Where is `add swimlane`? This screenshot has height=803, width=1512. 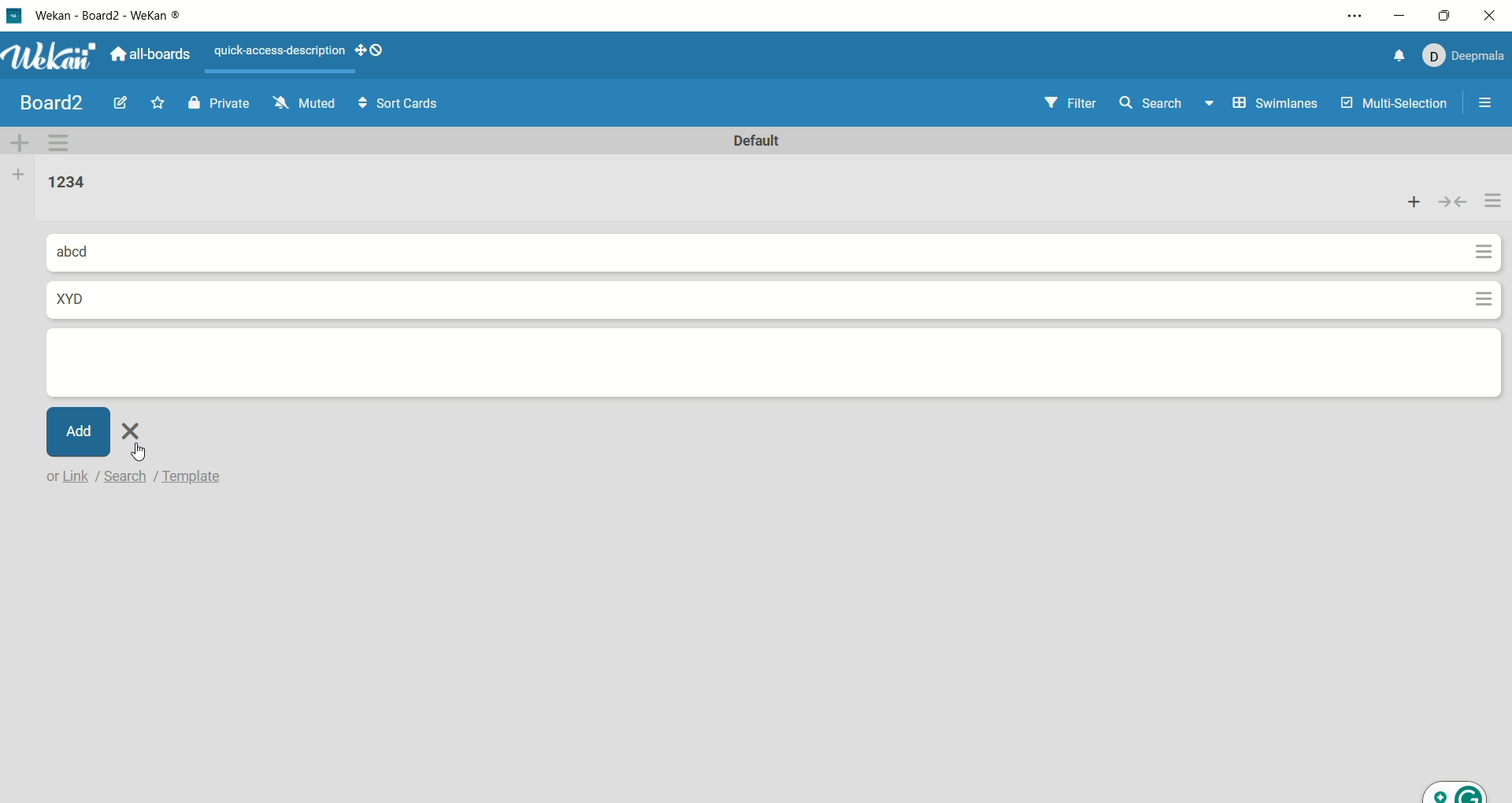
add swimlane is located at coordinates (20, 139).